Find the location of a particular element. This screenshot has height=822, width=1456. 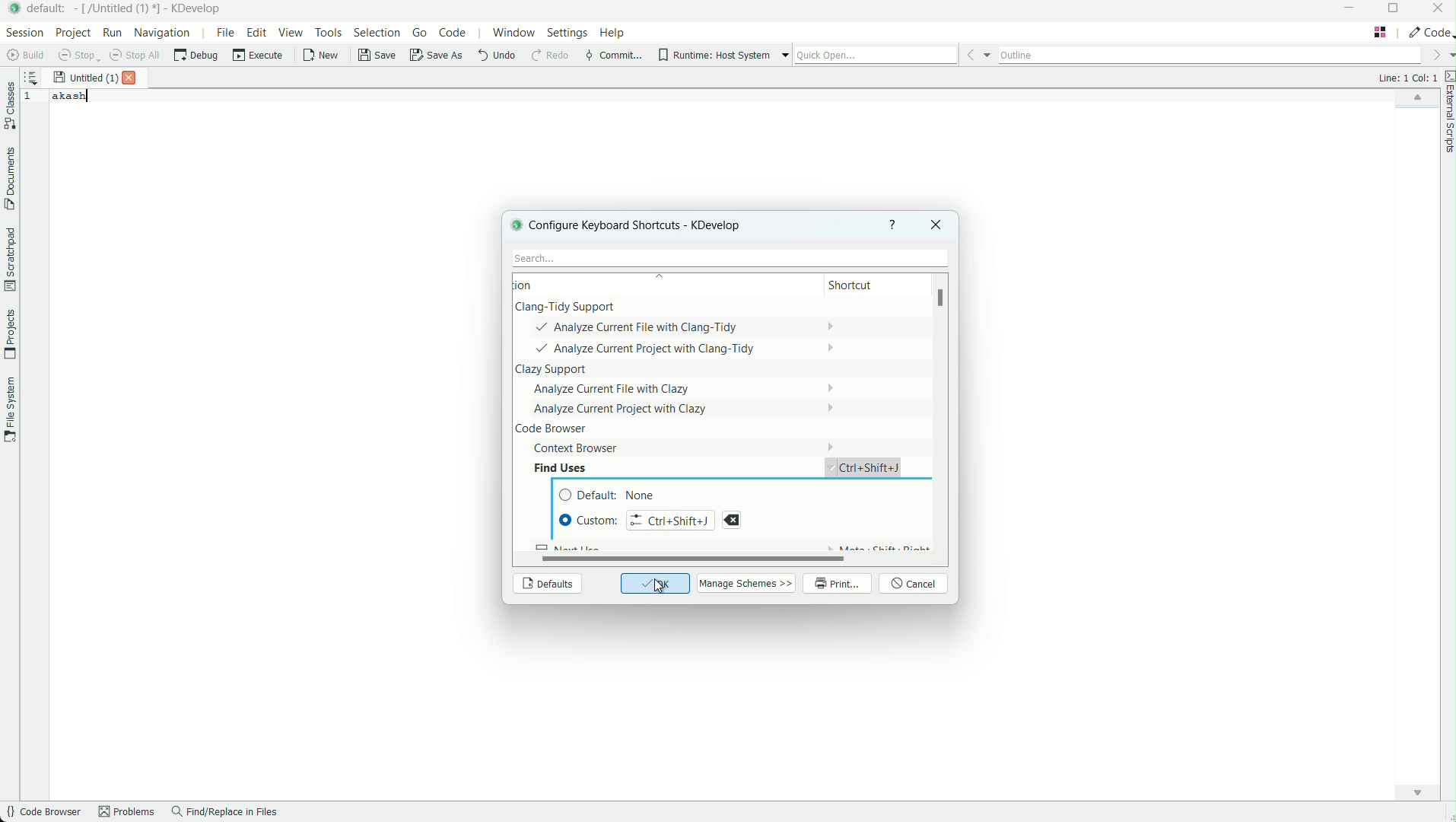

action is located at coordinates (544, 285).